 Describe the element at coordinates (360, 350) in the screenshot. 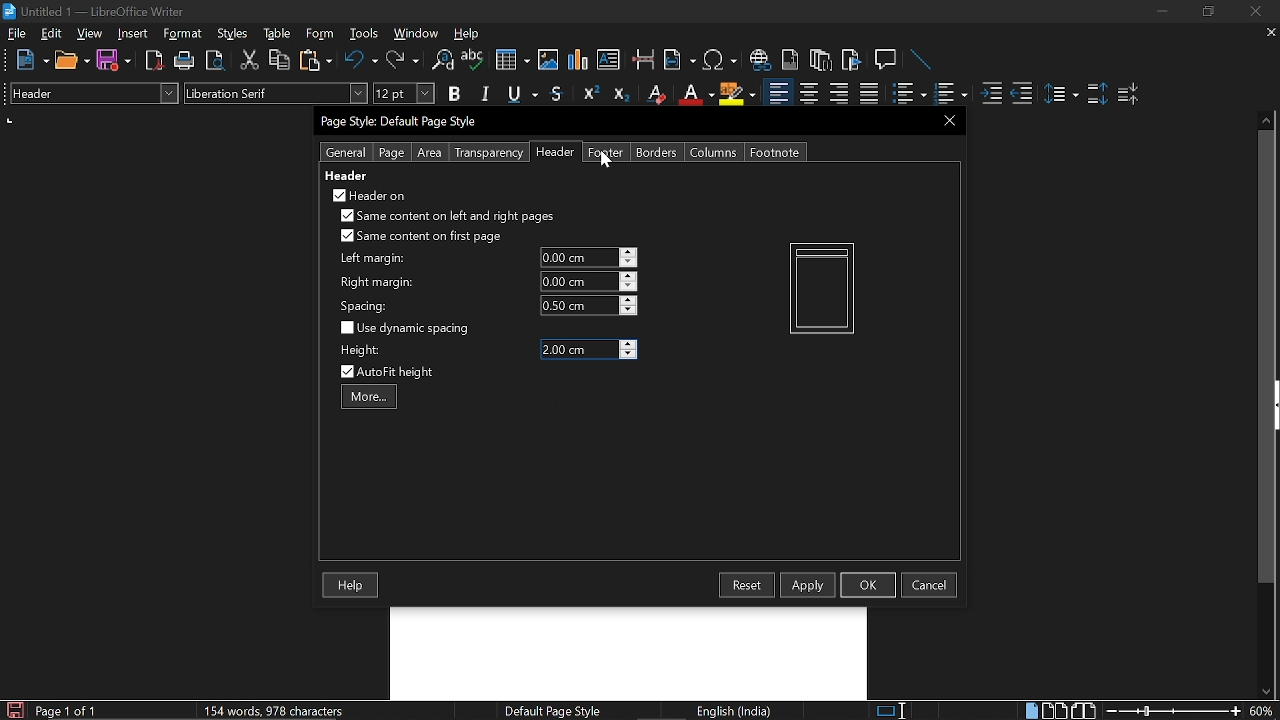

I see `height` at that location.